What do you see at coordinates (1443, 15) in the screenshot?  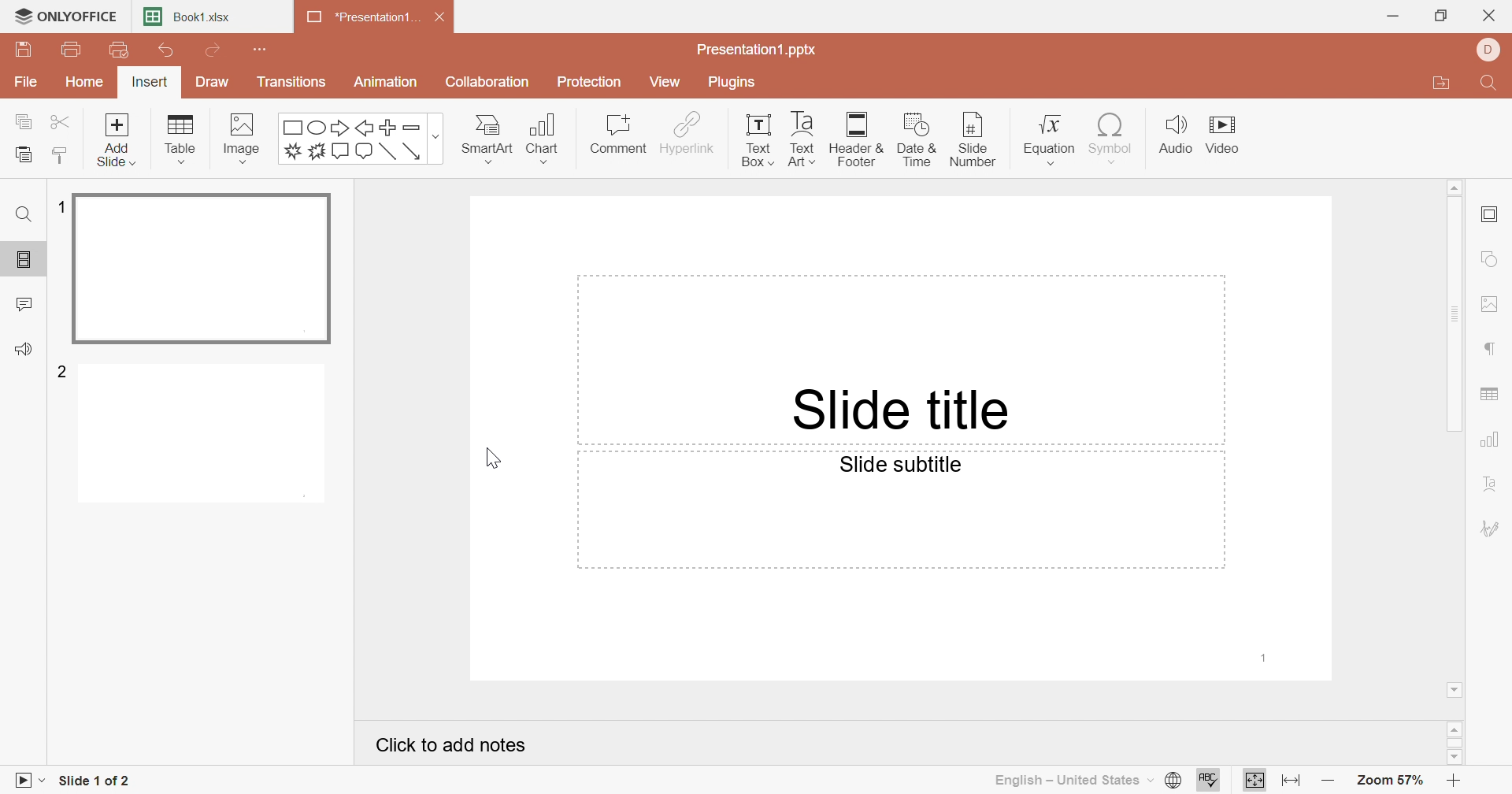 I see `Restore down` at bounding box center [1443, 15].